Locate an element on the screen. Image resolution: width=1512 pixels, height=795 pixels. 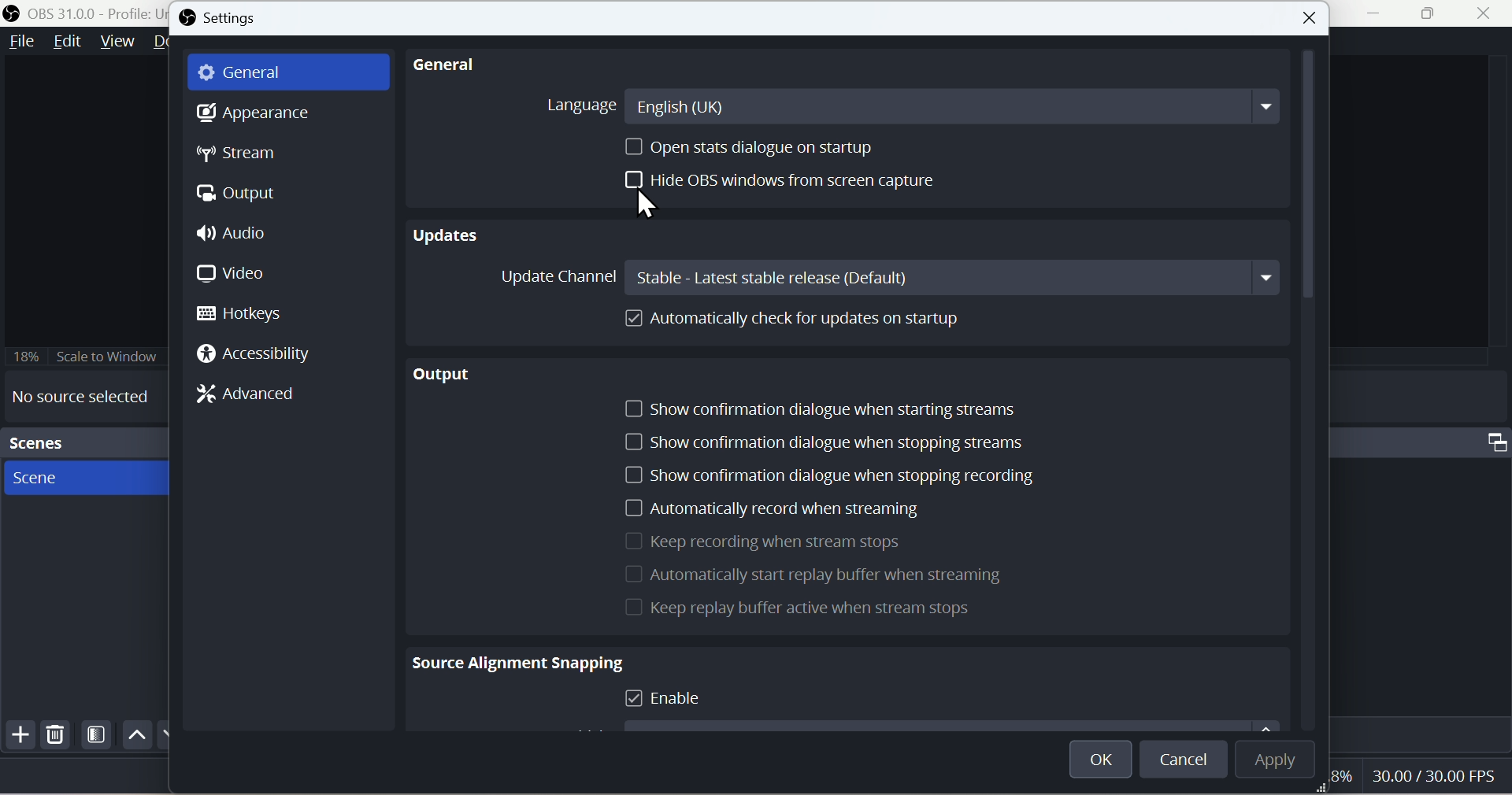
Show confirmation dialogue when starting streams is located at coordinates (831, 409).